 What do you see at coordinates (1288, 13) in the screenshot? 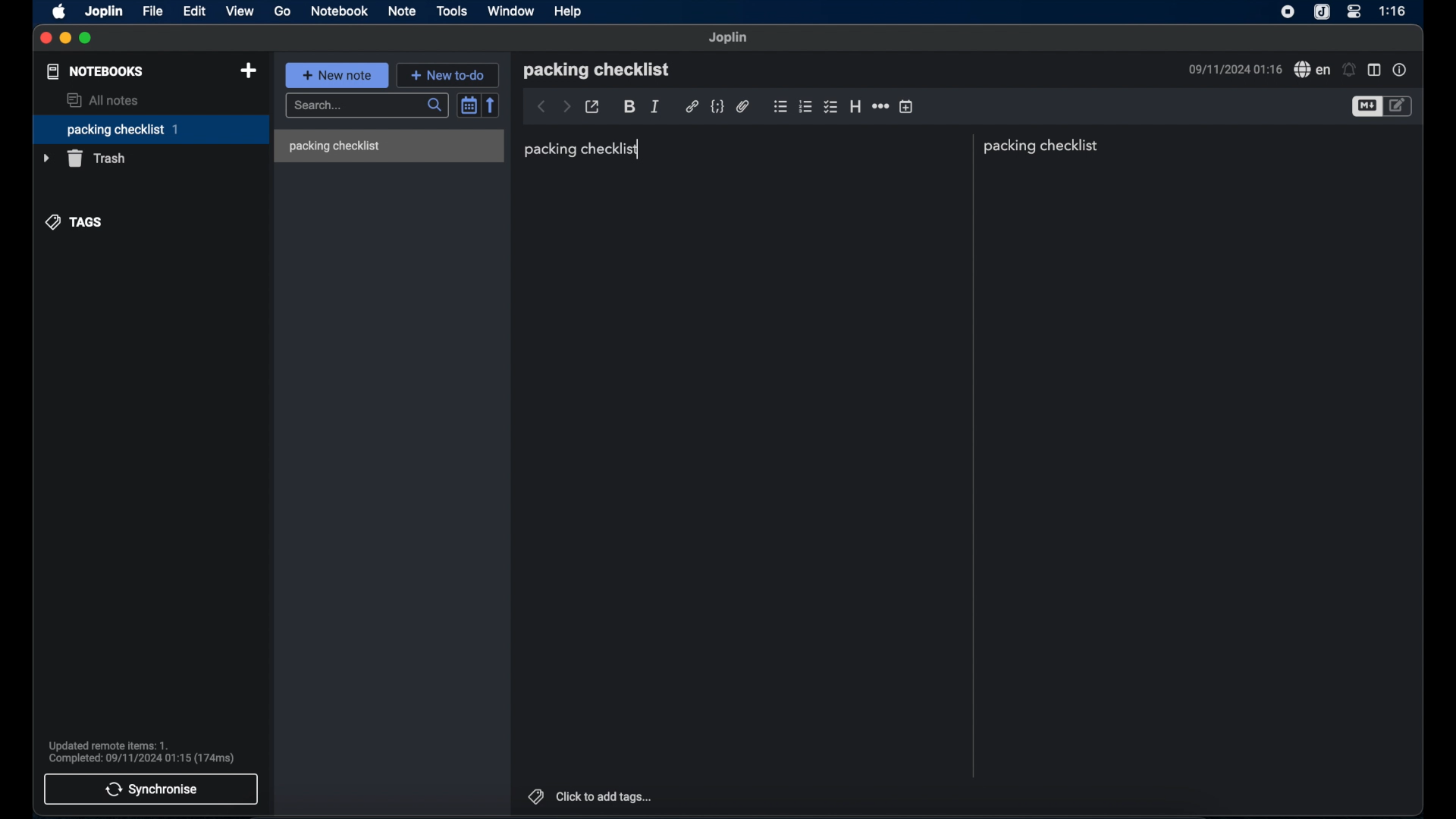
I see `screen recorder icon` at bounding box center [1288, 13].